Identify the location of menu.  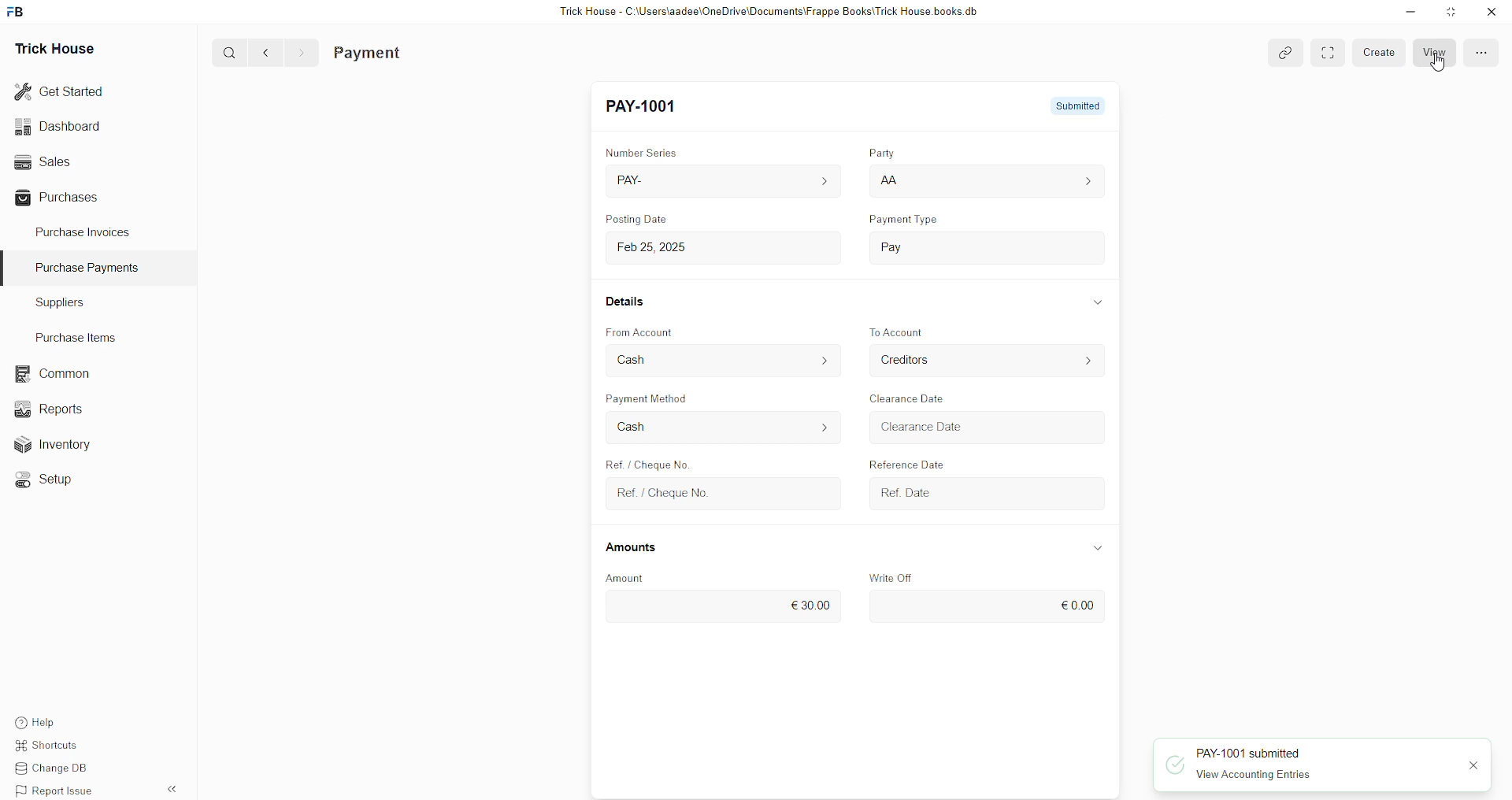
(1480, 51).